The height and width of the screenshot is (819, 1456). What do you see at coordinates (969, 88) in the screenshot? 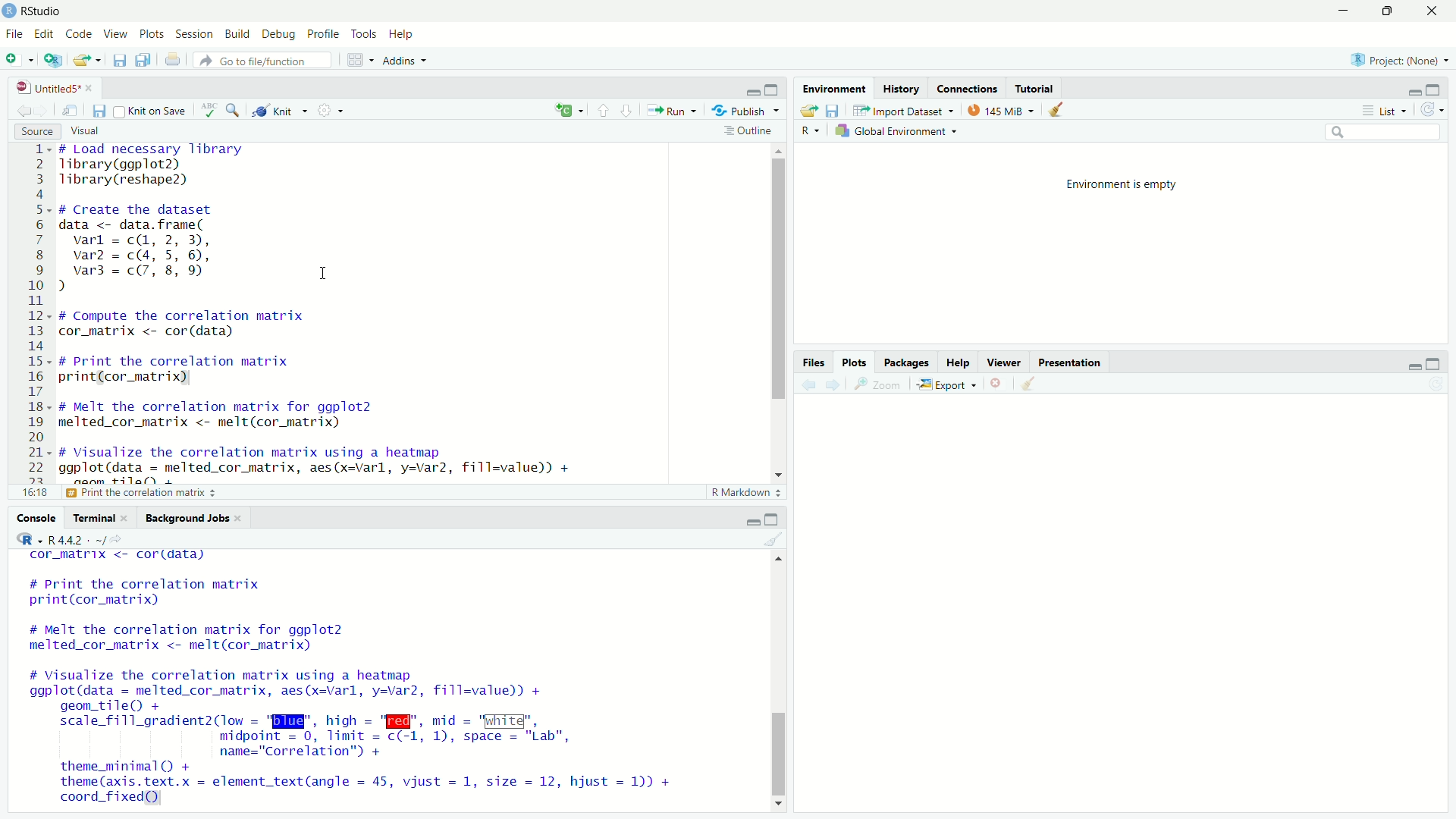
I see `connections` at bounding box center [969, 88].